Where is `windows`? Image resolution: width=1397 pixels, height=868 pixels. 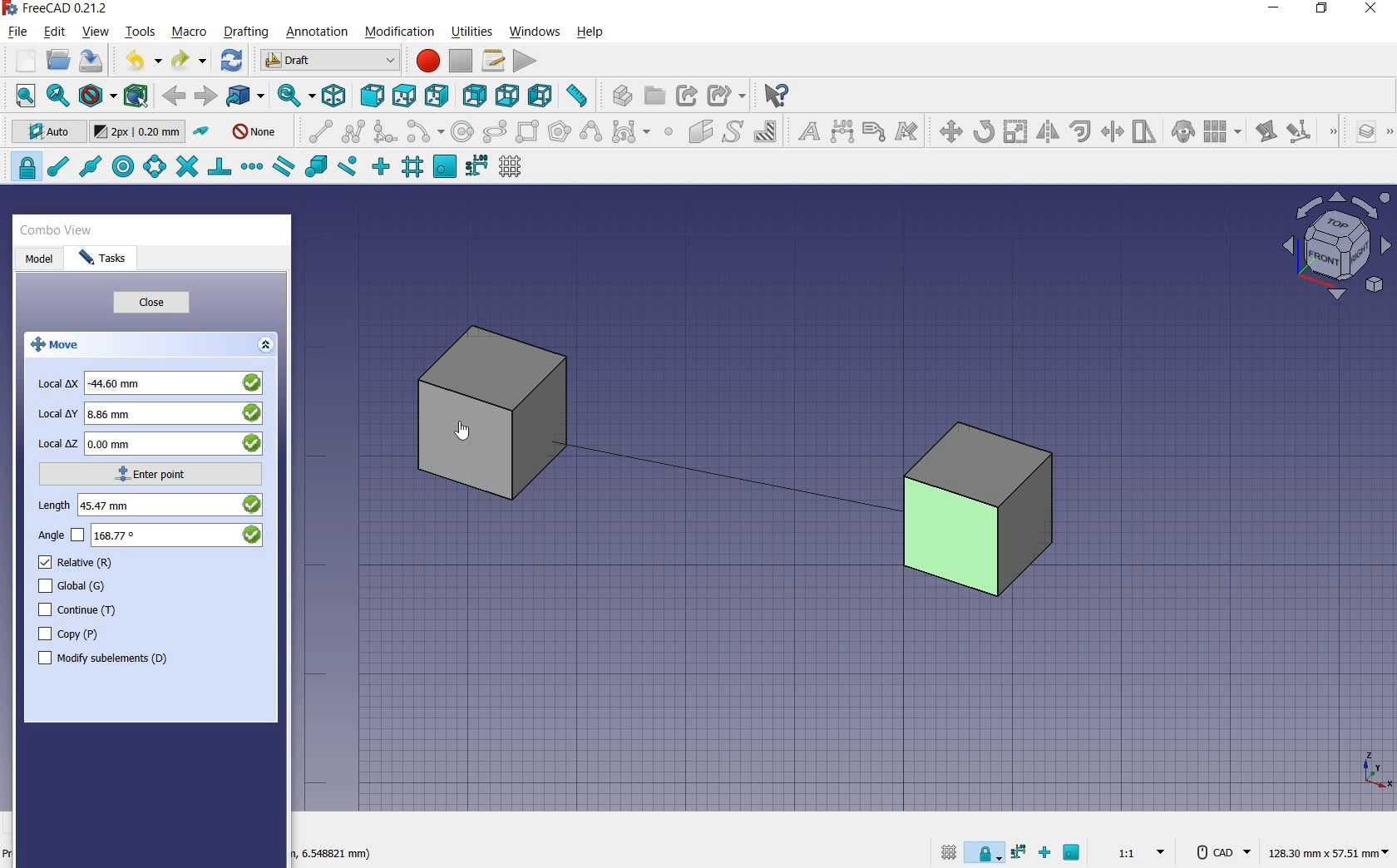 windows is located at coordinates (534, 32).